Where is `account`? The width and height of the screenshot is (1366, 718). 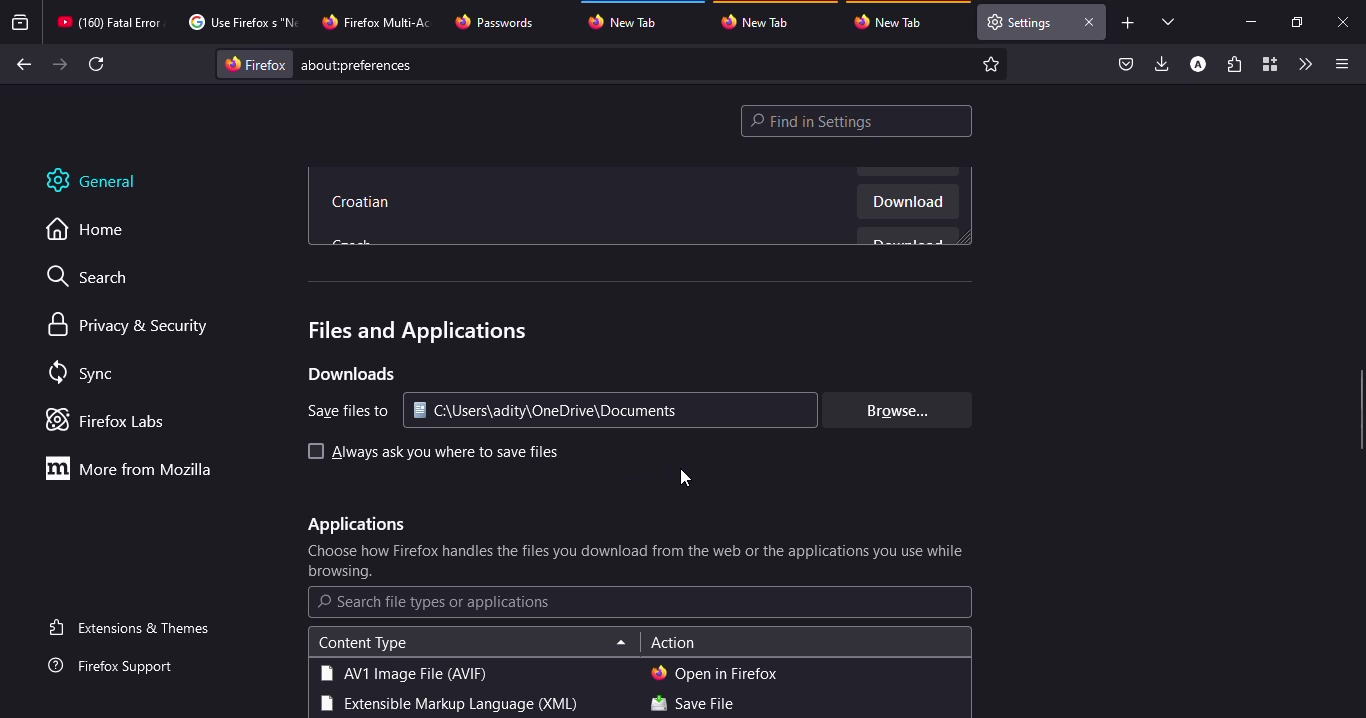
account is located at coordinates (1198, 65).